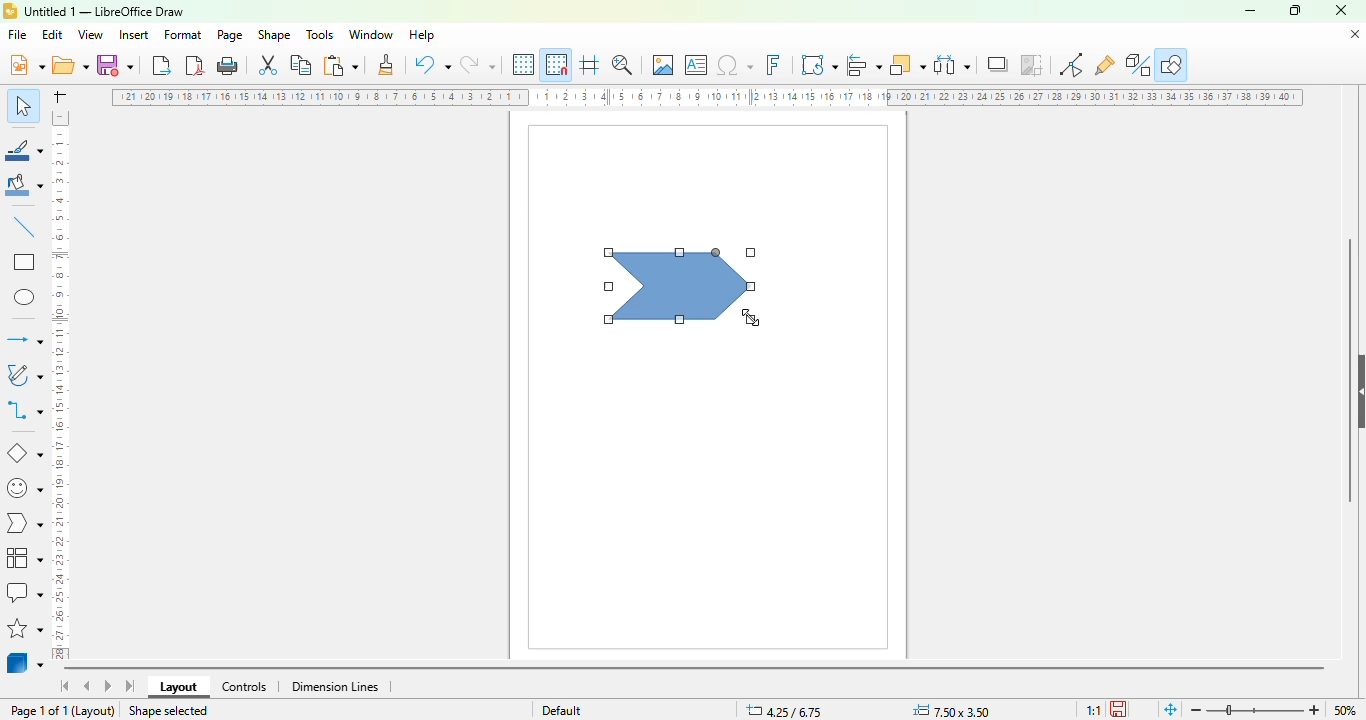 The height and width of the screenshot is (720, 1366). What do you see at coordinates (25, 661) in the screenshot?
I see `3D objects` at bounding box center [25, 661].